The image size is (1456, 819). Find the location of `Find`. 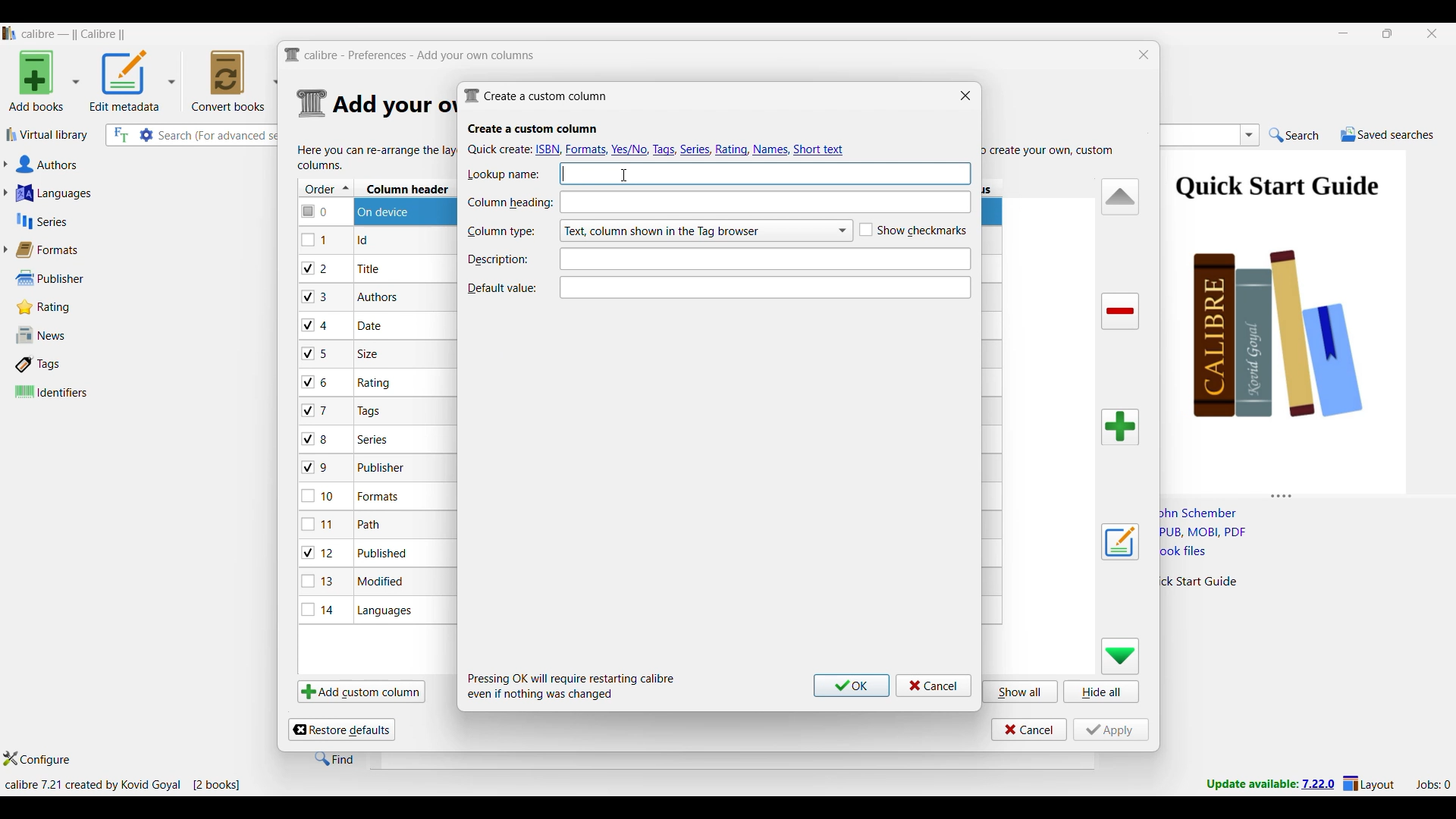

Find is located at coordinates (334, 758).